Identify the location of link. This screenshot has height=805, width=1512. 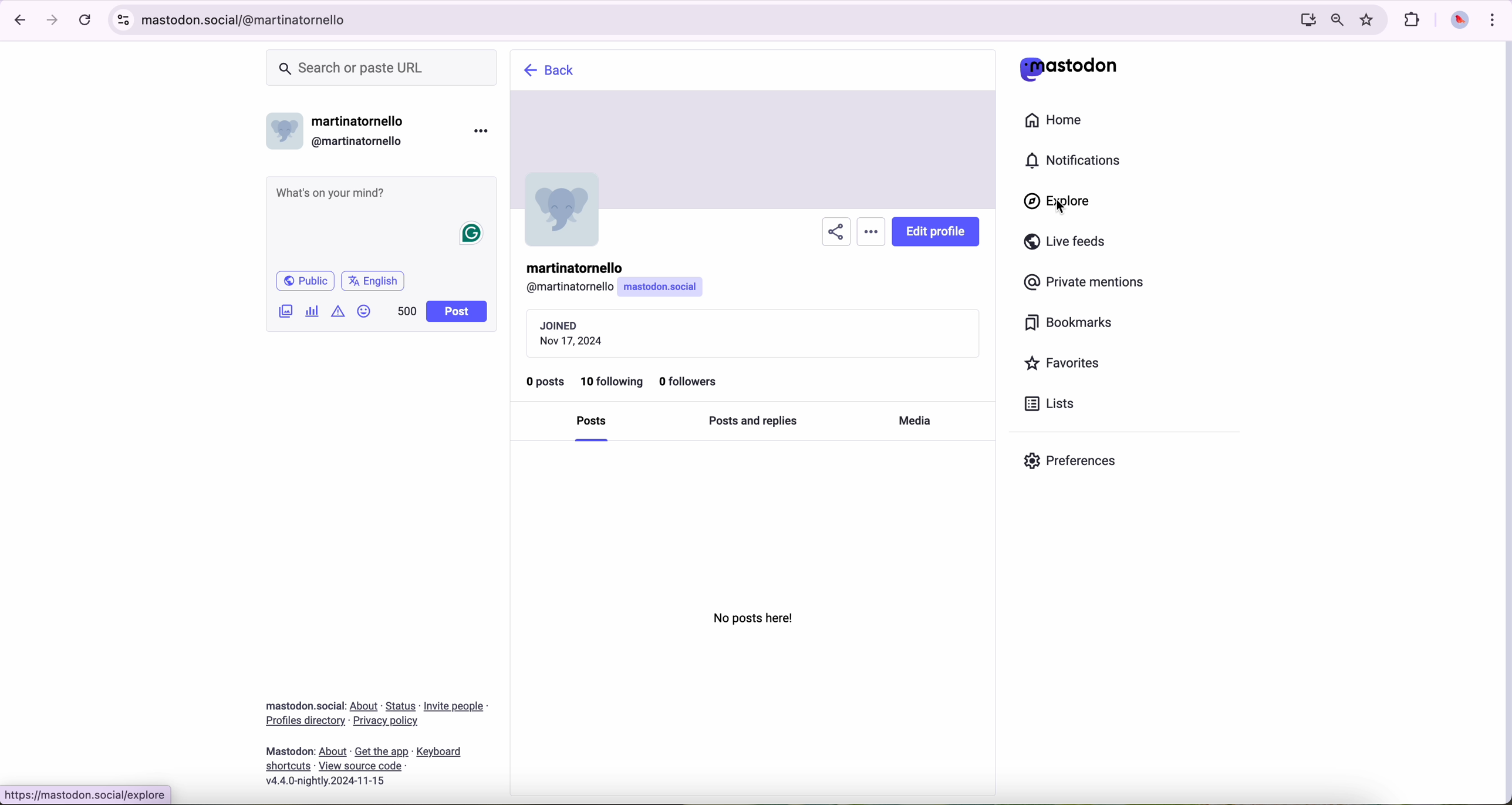
(305, 722).